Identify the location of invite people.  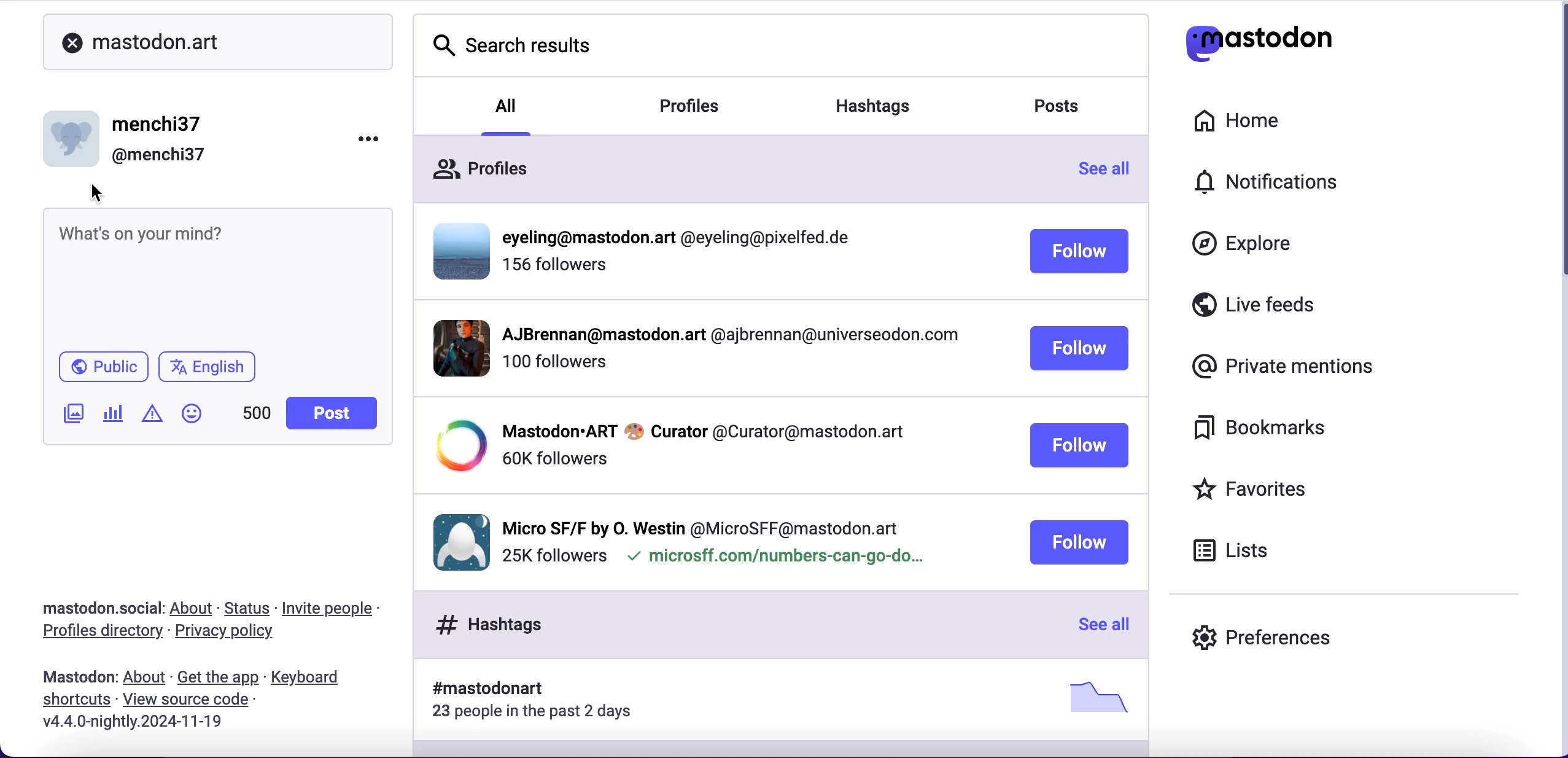
(332, 608).